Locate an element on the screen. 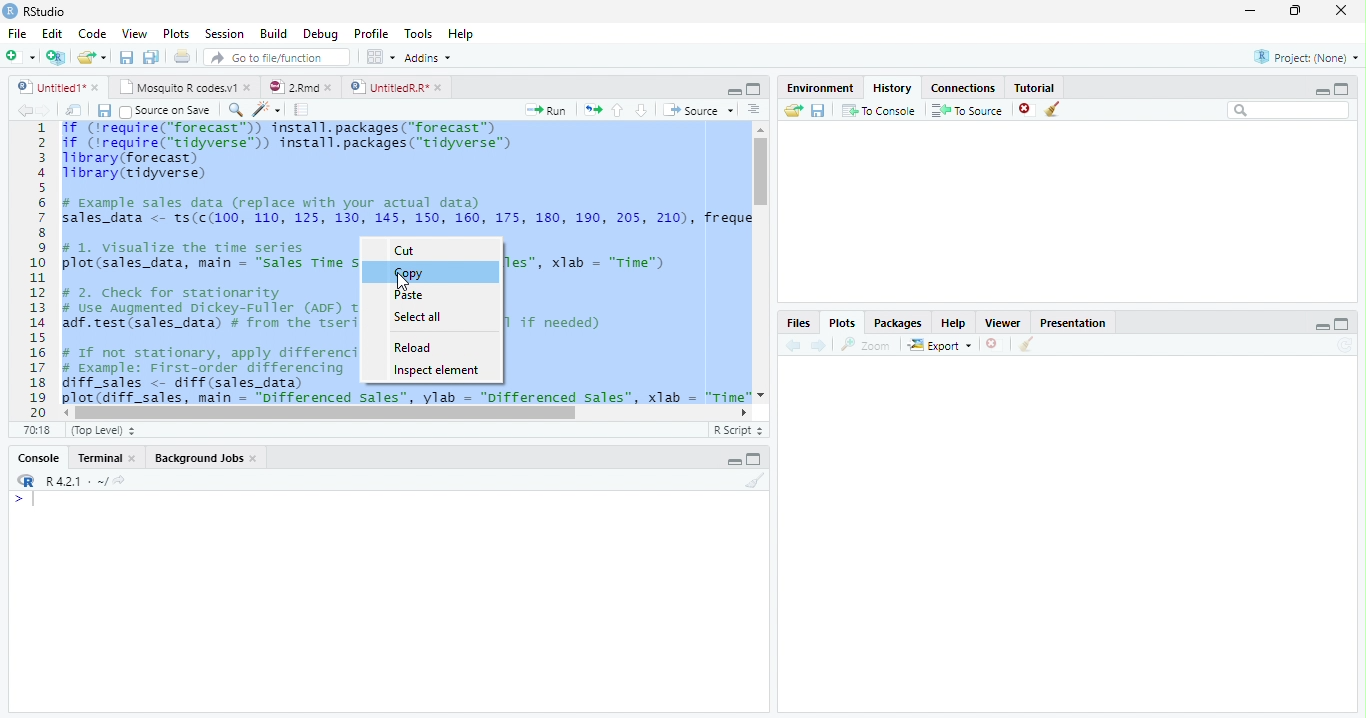 The image size is (1366, 718). Save is located at coordinates (102, 110).